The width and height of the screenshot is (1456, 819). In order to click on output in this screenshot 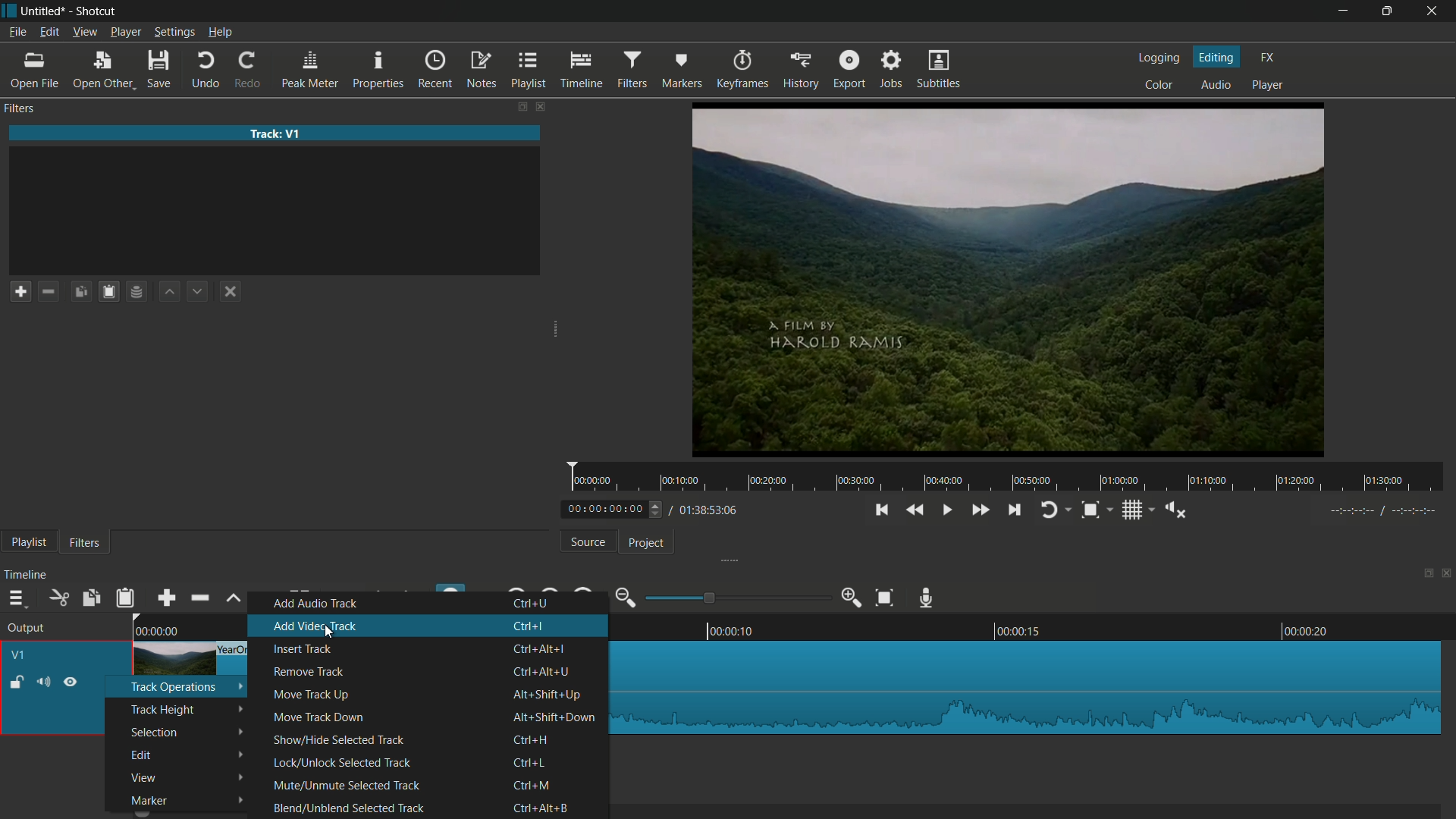, I will do `click(28, 629)`.